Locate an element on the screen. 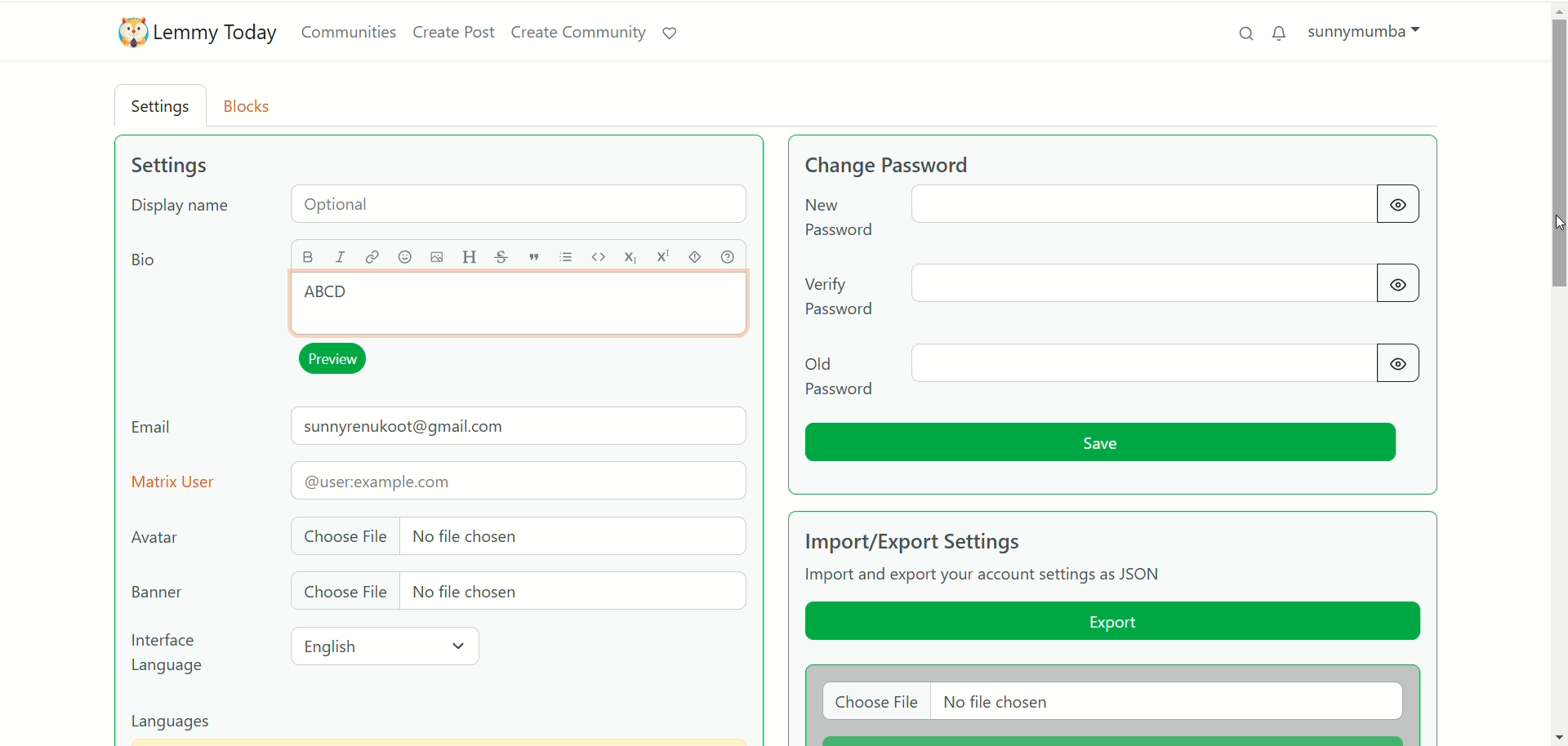  quote is located at coordinates (533, 257).